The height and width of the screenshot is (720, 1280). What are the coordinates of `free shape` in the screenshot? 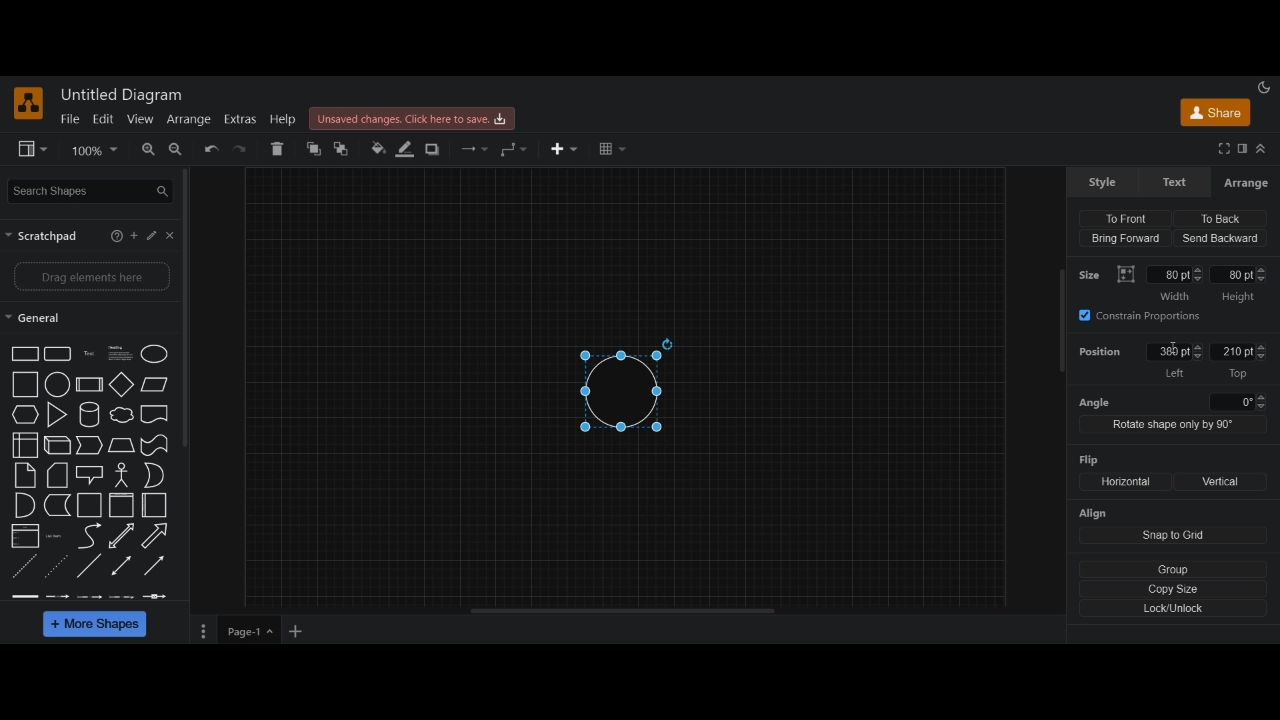 It's located at (154, 446).